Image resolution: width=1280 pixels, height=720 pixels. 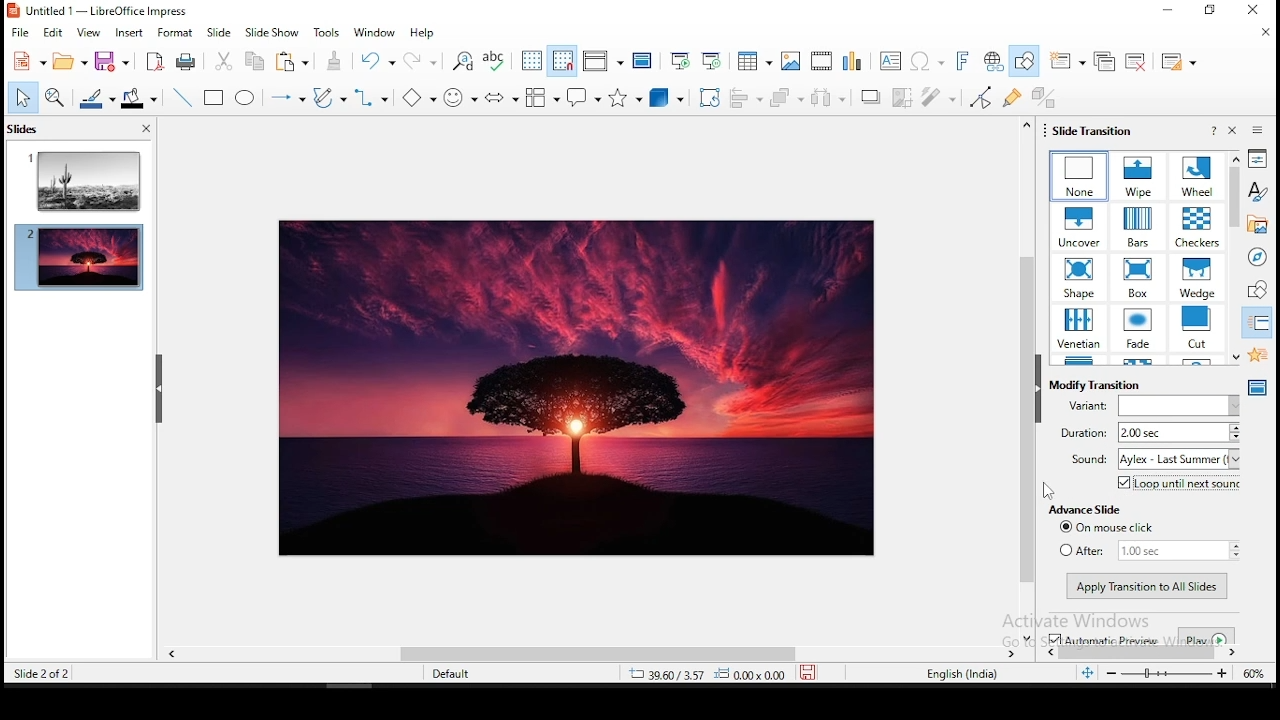 What do you see at coordinates (891, 60) in the screenshot?
I see `text box` at bounding box center [891, 60].